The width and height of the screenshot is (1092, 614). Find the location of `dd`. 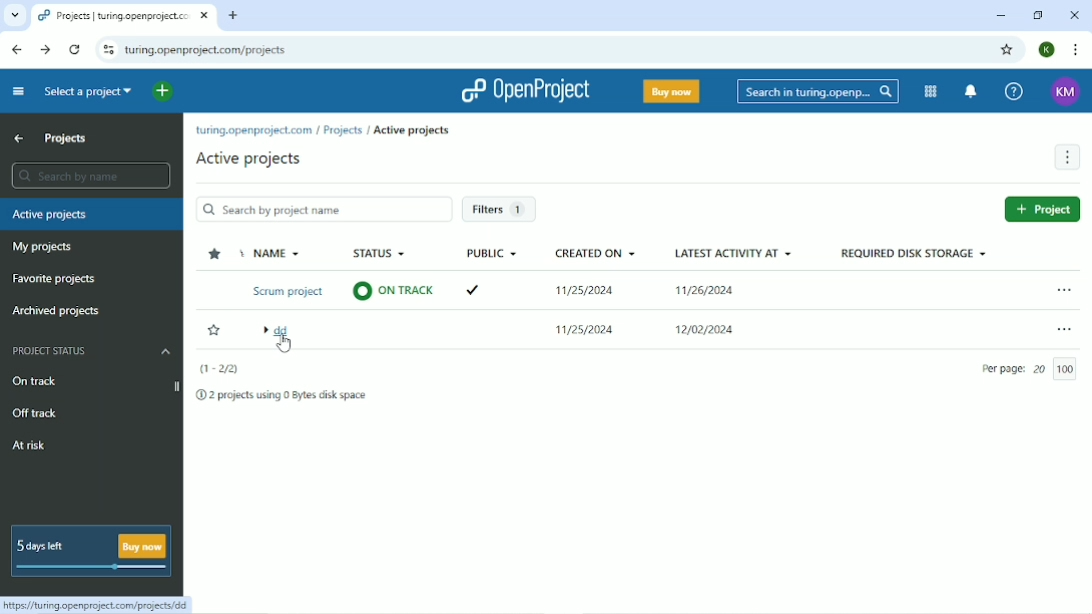

dd is located at coordinates (282, 329).